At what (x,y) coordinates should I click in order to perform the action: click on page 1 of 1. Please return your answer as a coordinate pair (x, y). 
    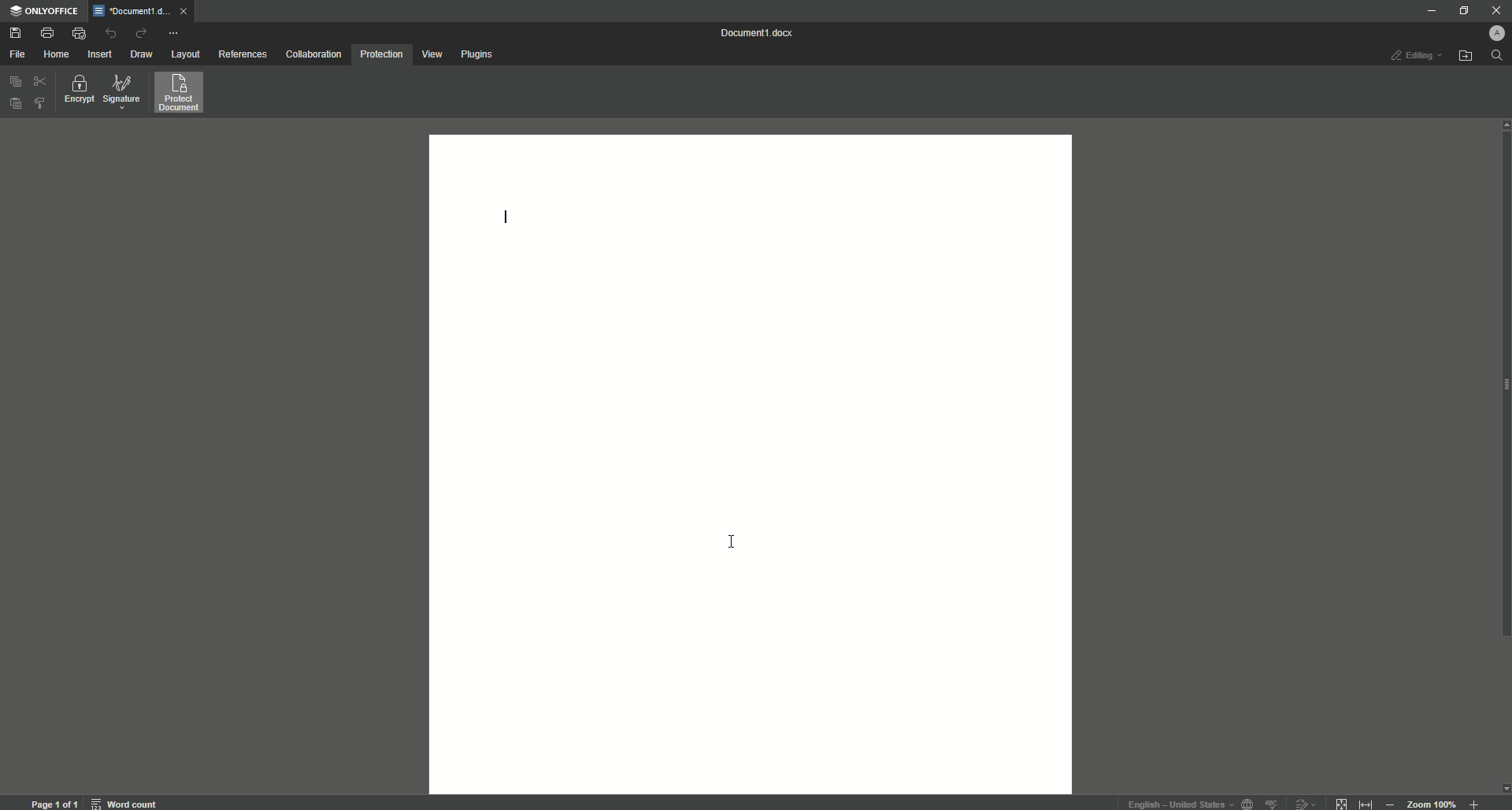
    Looking at the image, I should click on (54, 801).